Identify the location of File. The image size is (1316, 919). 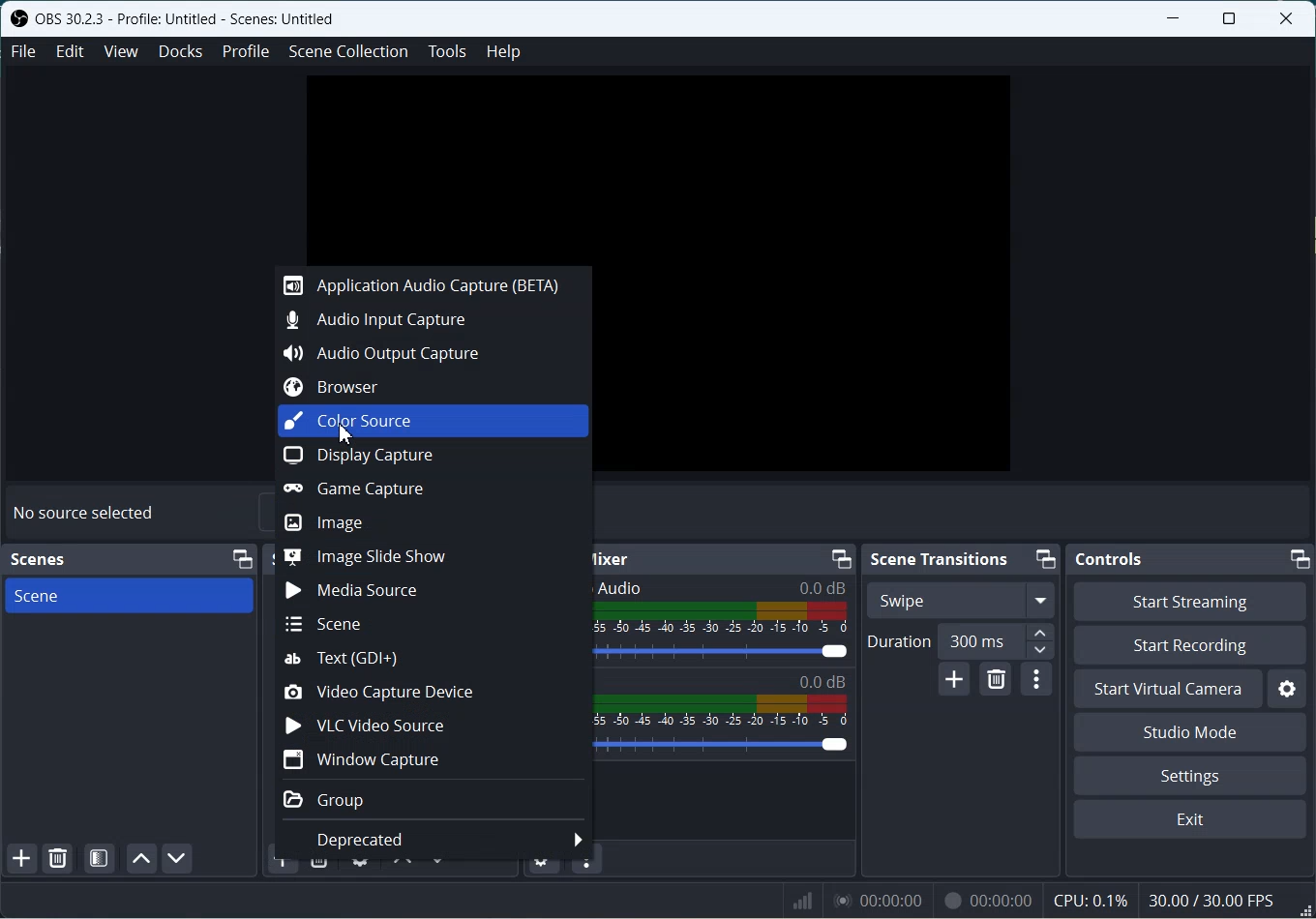
(20, 51).